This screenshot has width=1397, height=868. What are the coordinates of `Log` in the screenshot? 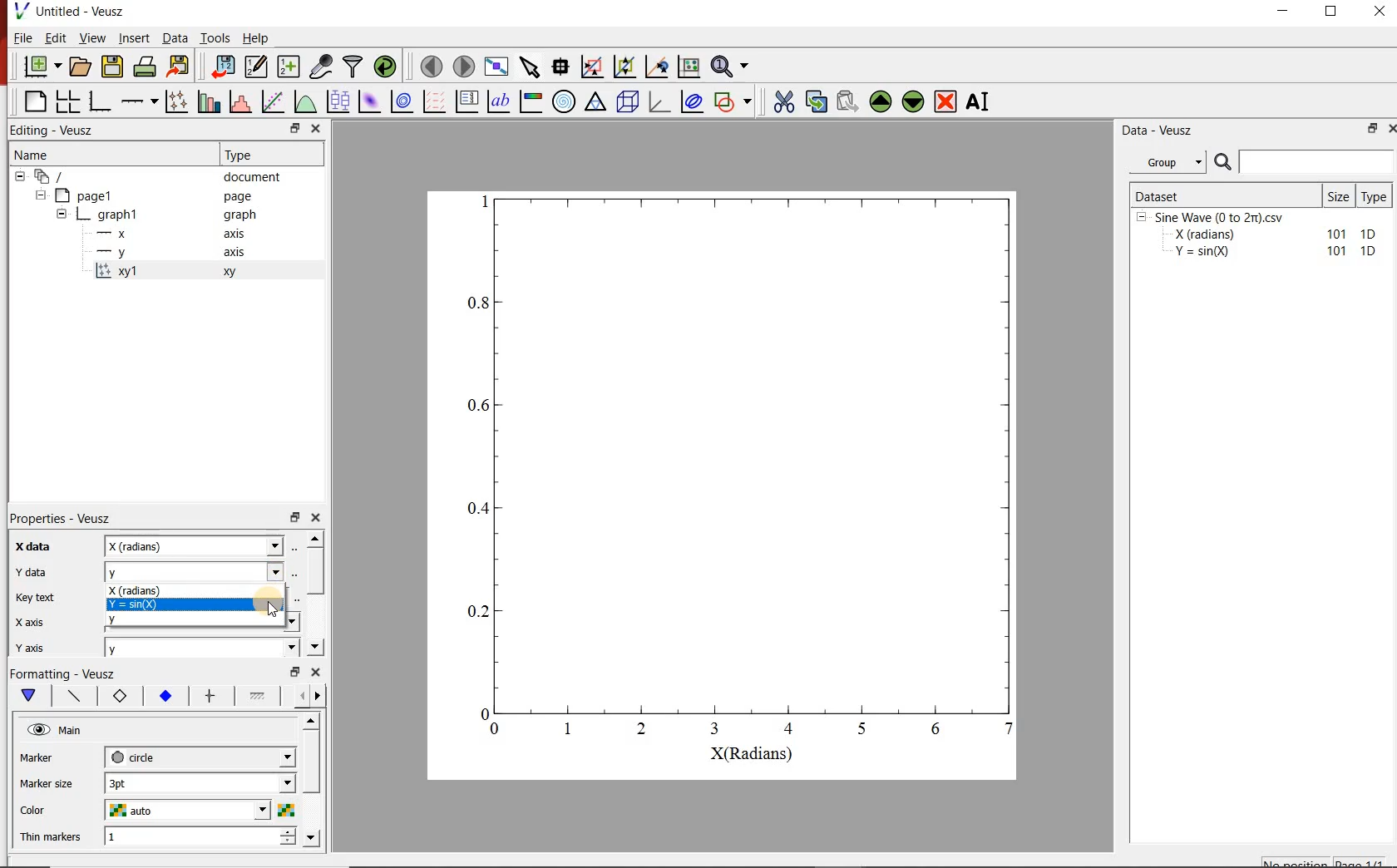 It's located at (28, 620).